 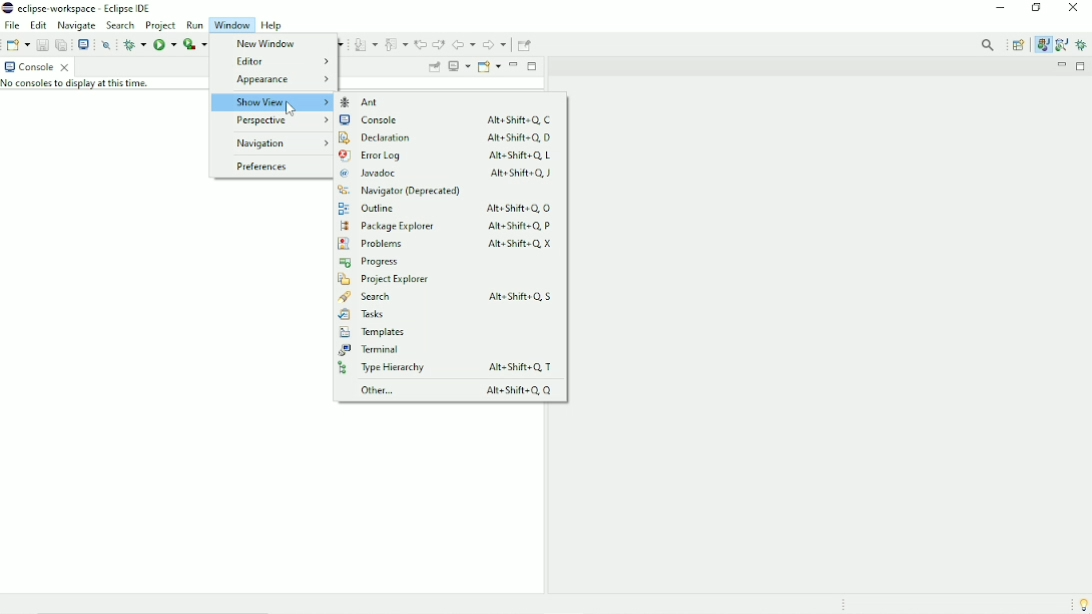 What do you see at coordinates (495, 46) in the screenshot?
I see `Forward` at bounding box center [495, 46].